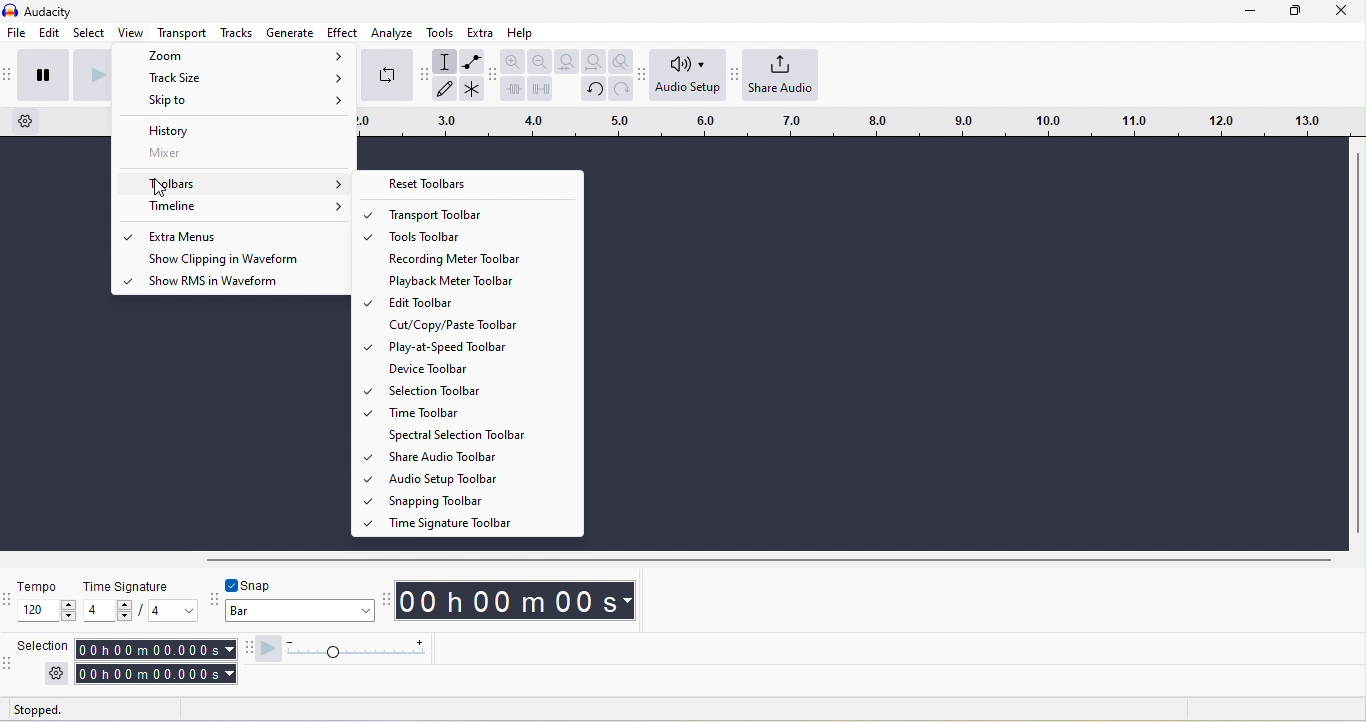  Describe the element at coordinates (512, 88) in the screenshot. I see `trim audio outside selection` at that location.